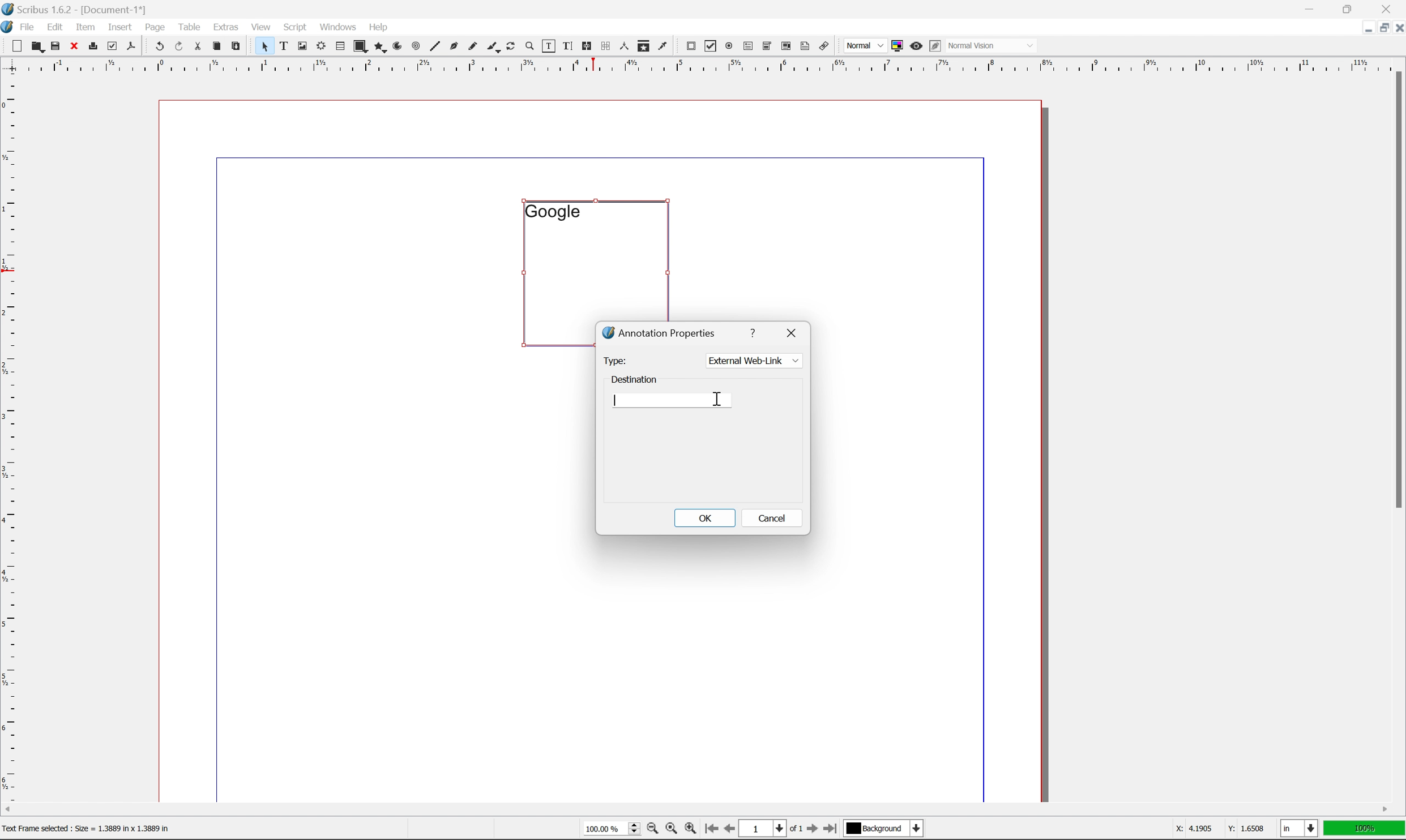 This screenshot has height=840, width=1406. I want to click on open, so click(36, 47).